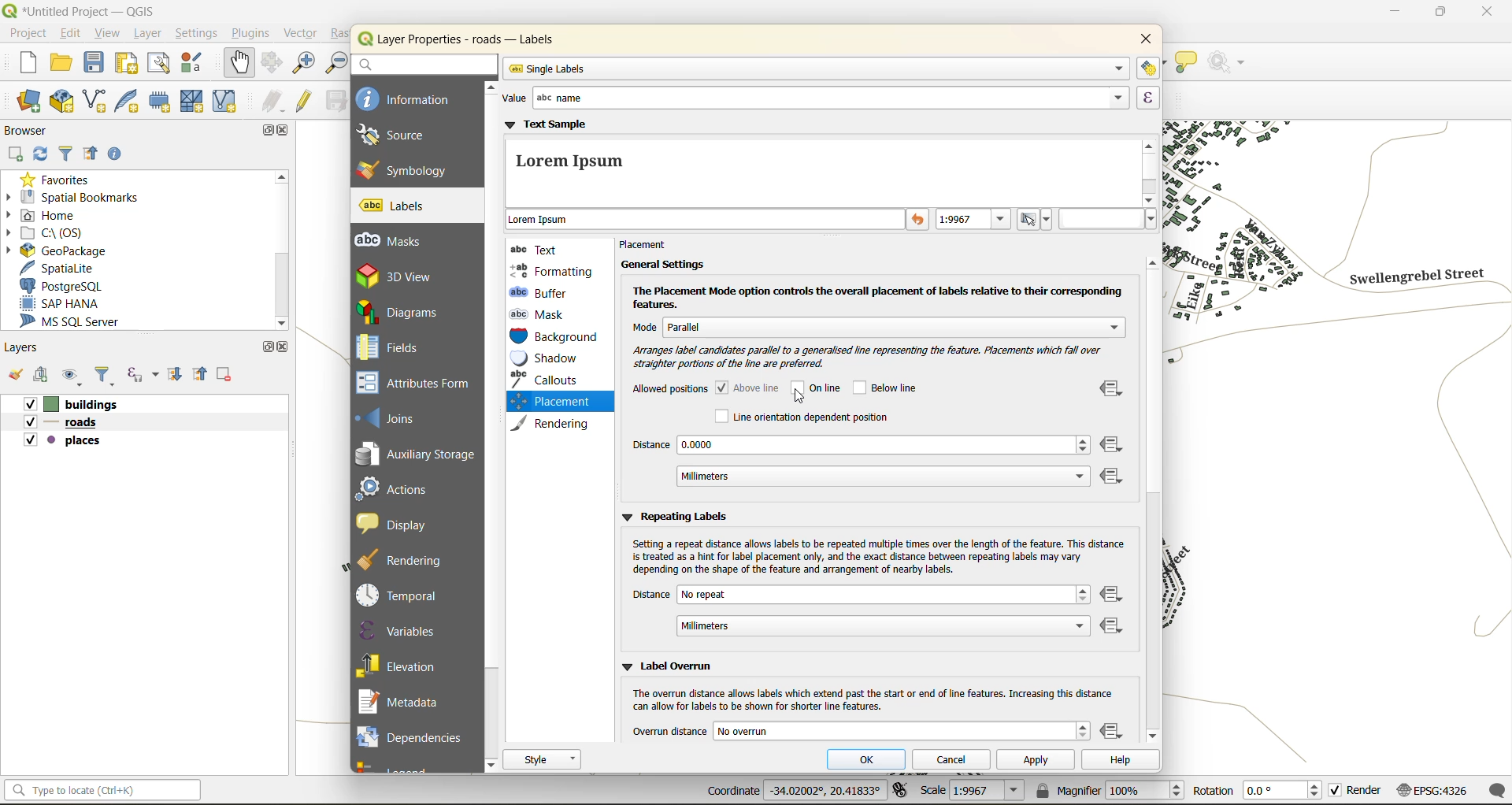 This screenshot has width=1512, height=805. What do you see at coordinates (1108, 790) in the screenshot?
I see `magnifier` at bounding box center [1108, 790].